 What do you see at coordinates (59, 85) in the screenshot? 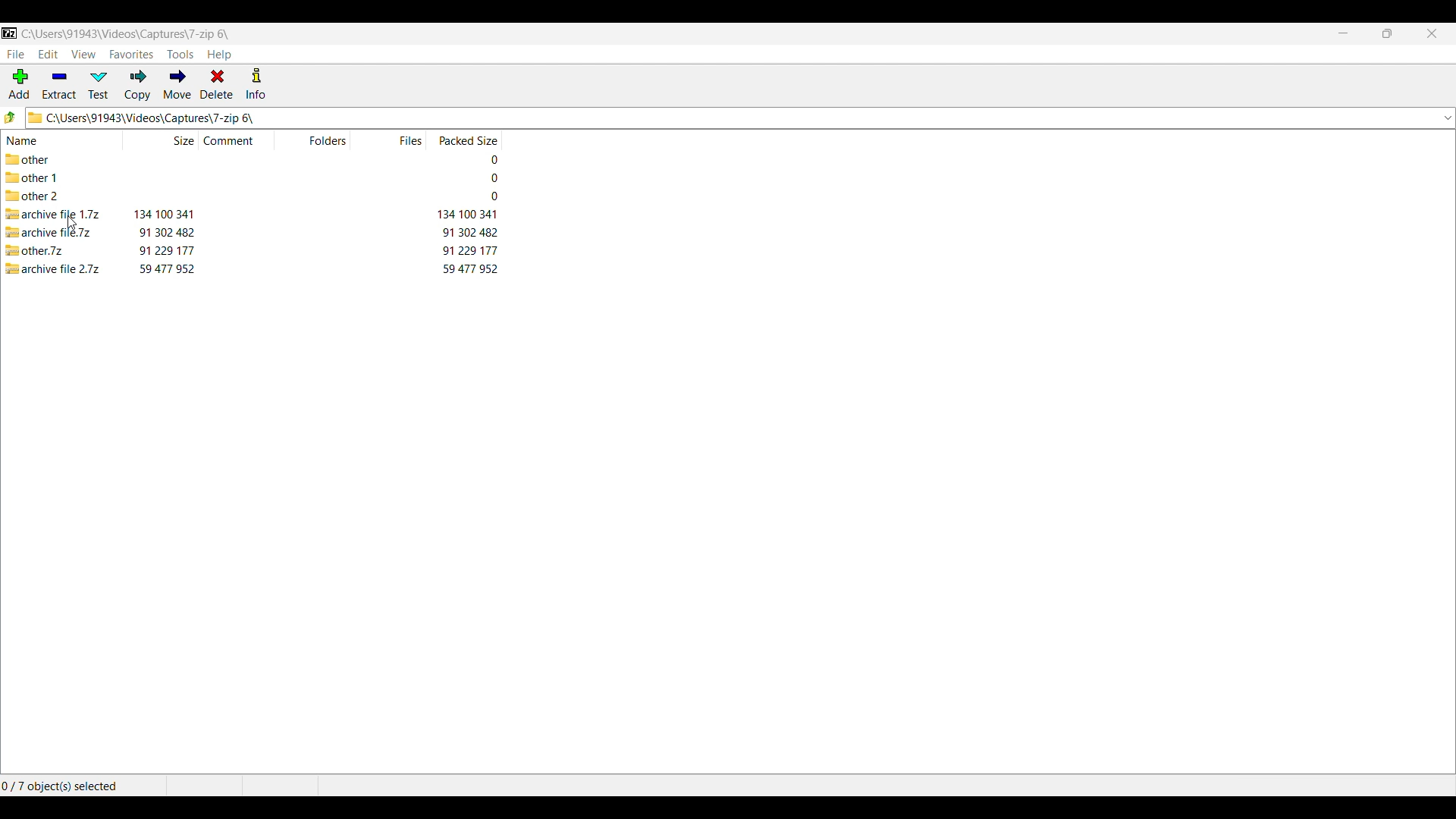
I see `Extract` at bounding box center [59, 85].